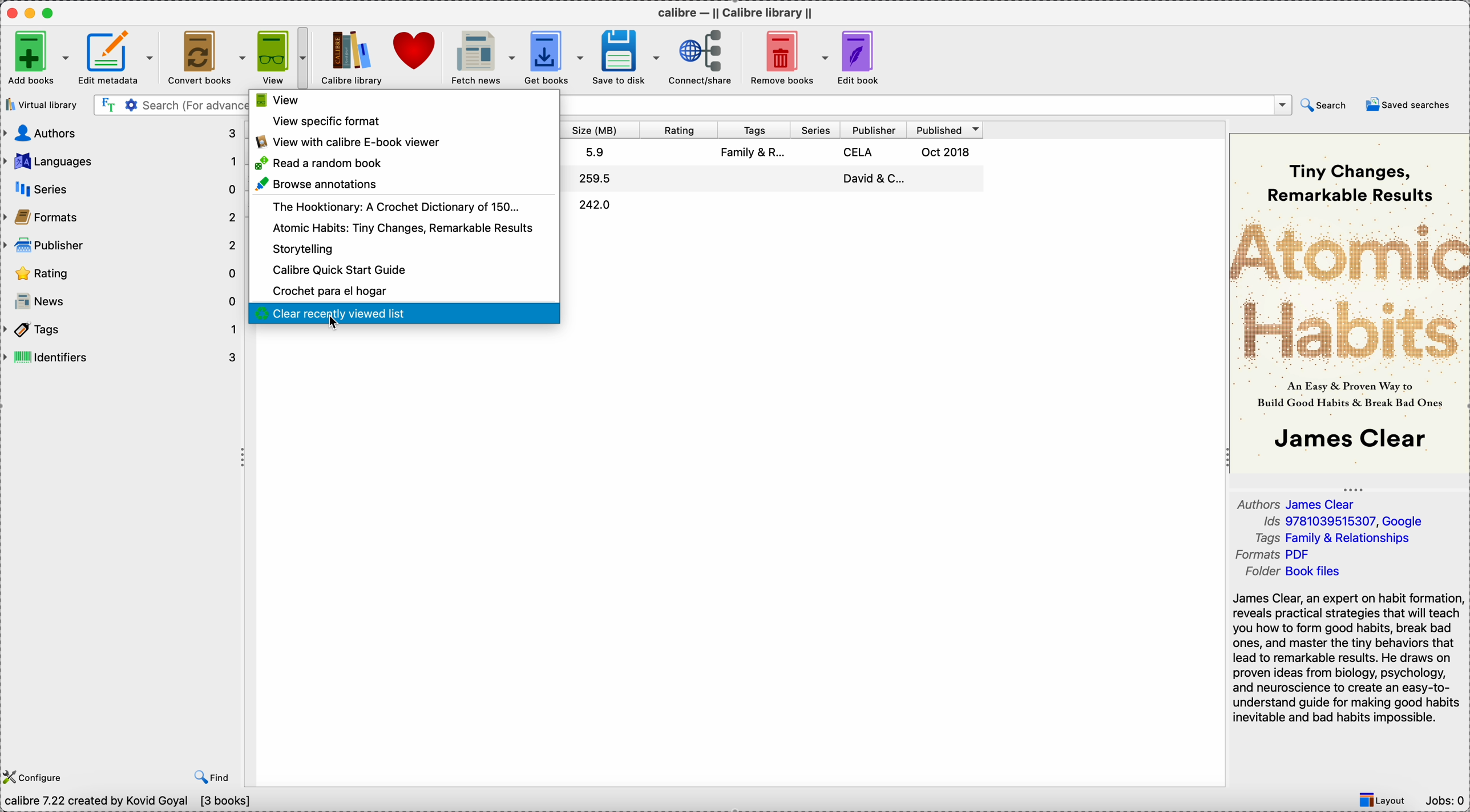  Describe the element at coordinates (120, 216) in the screenshot. I see `formats` at that location.